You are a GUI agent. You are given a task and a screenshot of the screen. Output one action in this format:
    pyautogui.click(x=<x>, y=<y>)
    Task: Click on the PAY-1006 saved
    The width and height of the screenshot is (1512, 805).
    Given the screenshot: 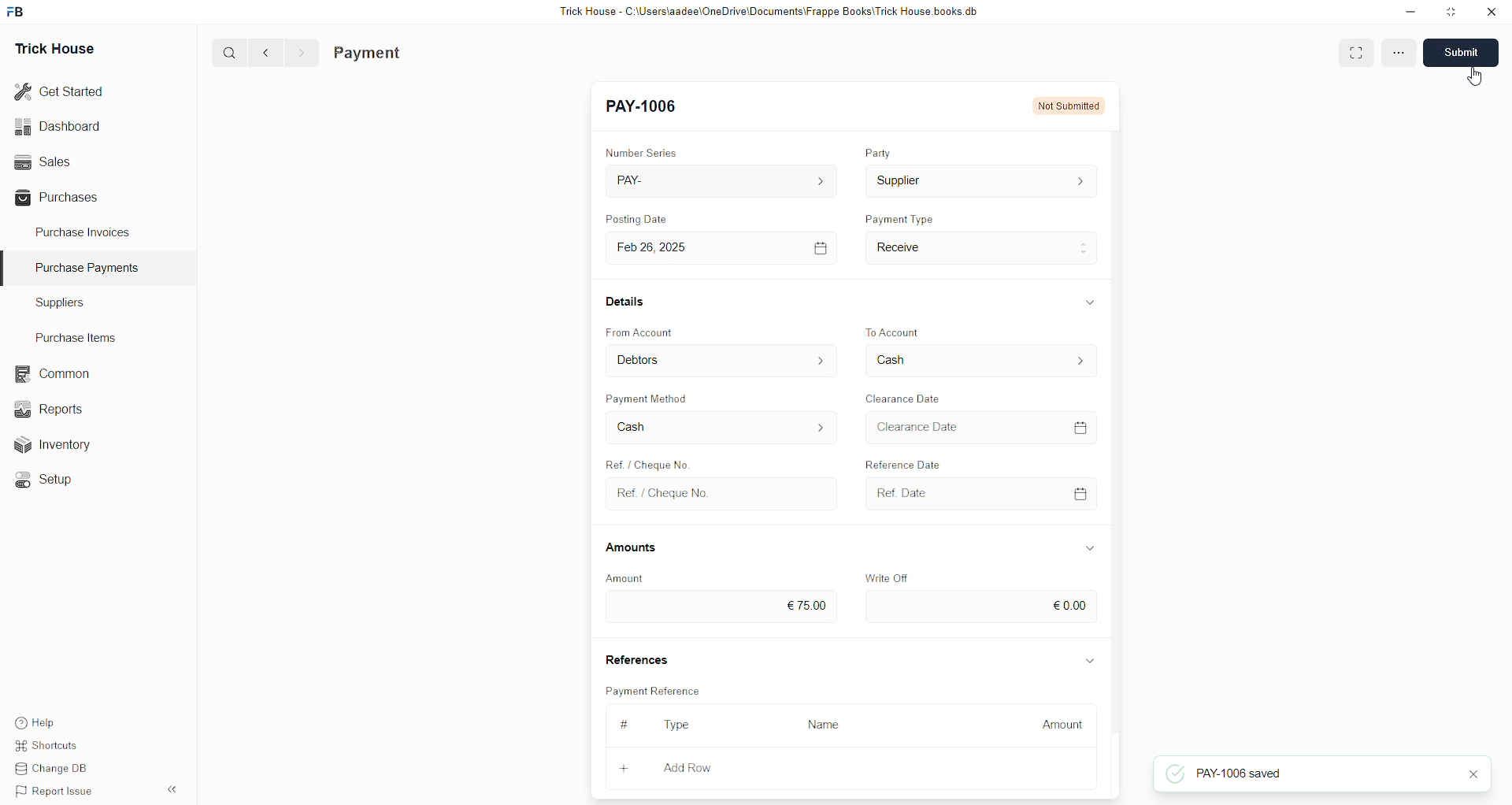 What is the action you would take?
    pyautogui.click(x=1251, y=775)
    